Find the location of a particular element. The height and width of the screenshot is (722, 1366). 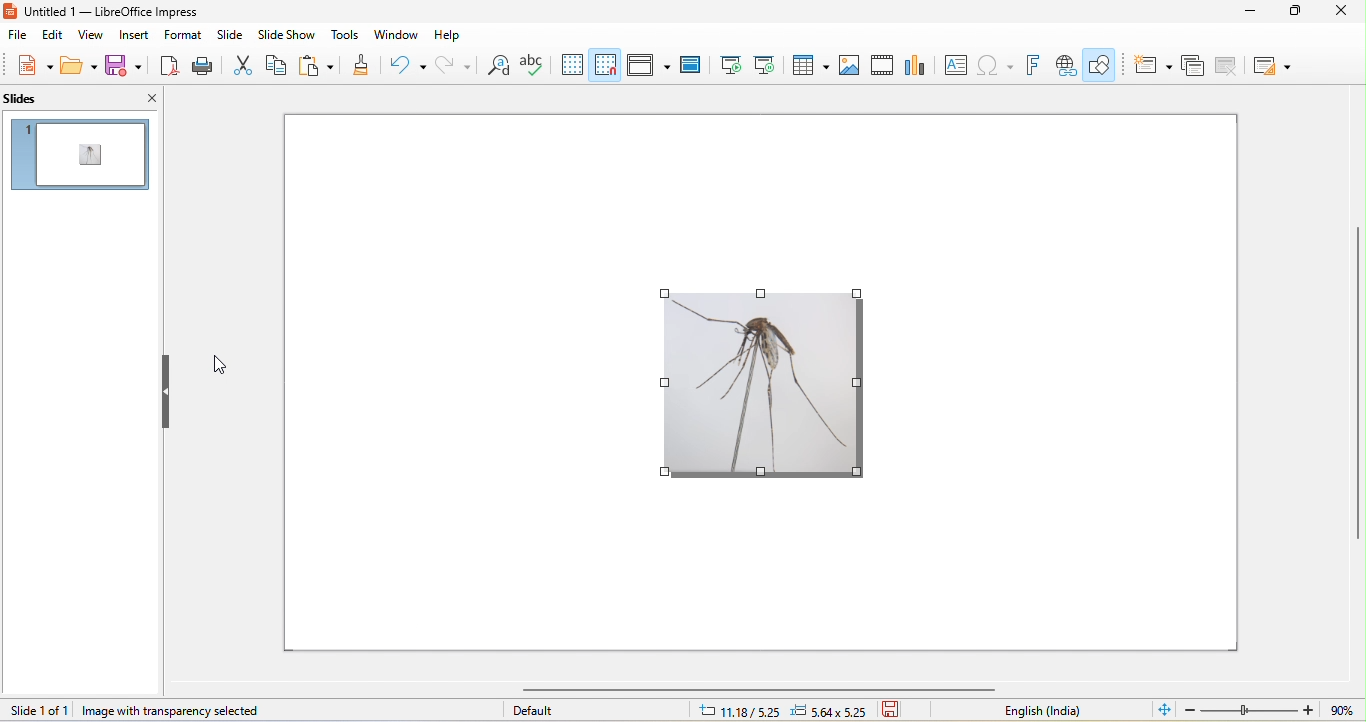

image is located at coordinates (848, 65).